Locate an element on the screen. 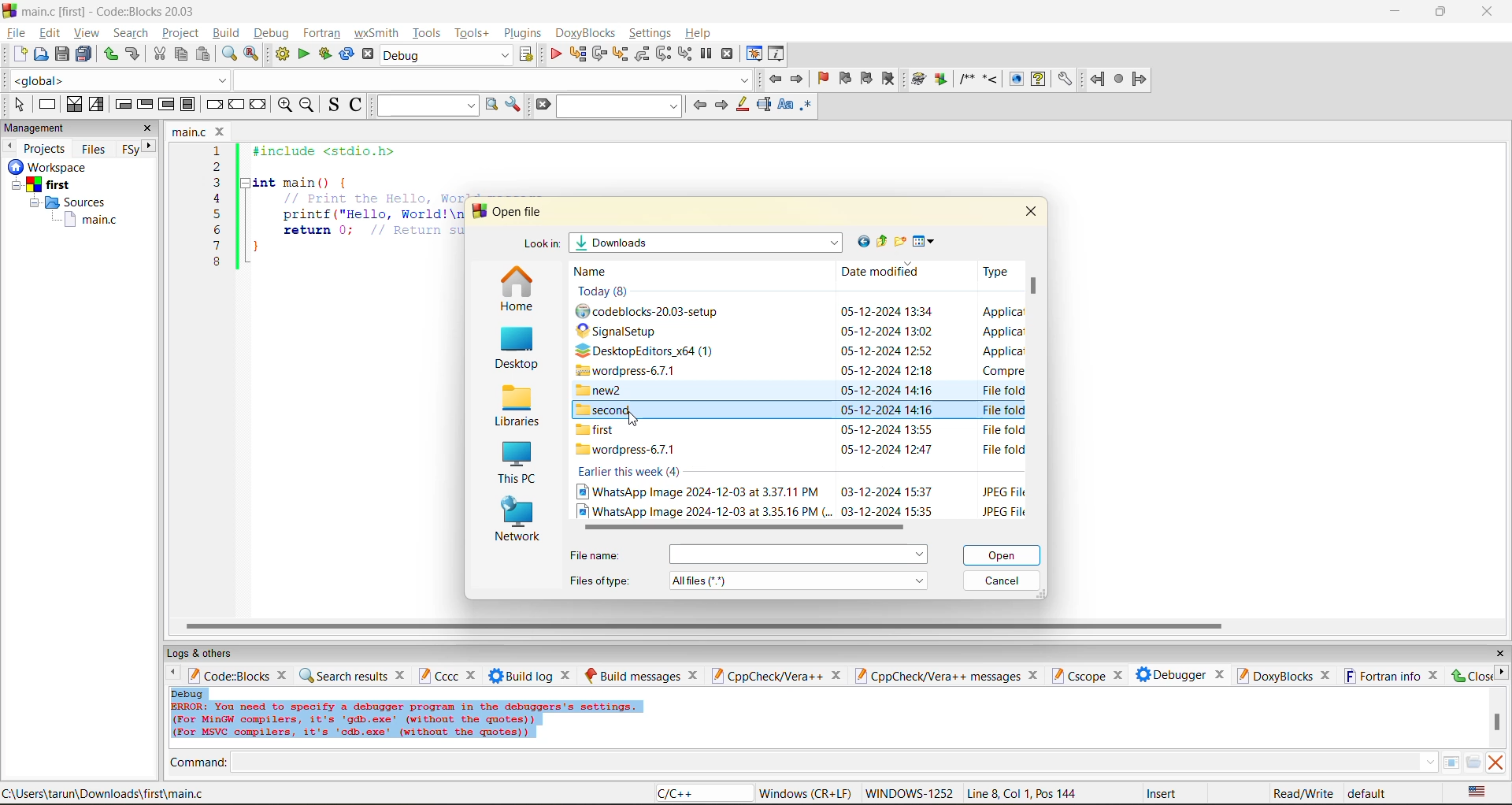 This screenshot has height=805, width=1512. Sources is located at coordinates (72, 202).